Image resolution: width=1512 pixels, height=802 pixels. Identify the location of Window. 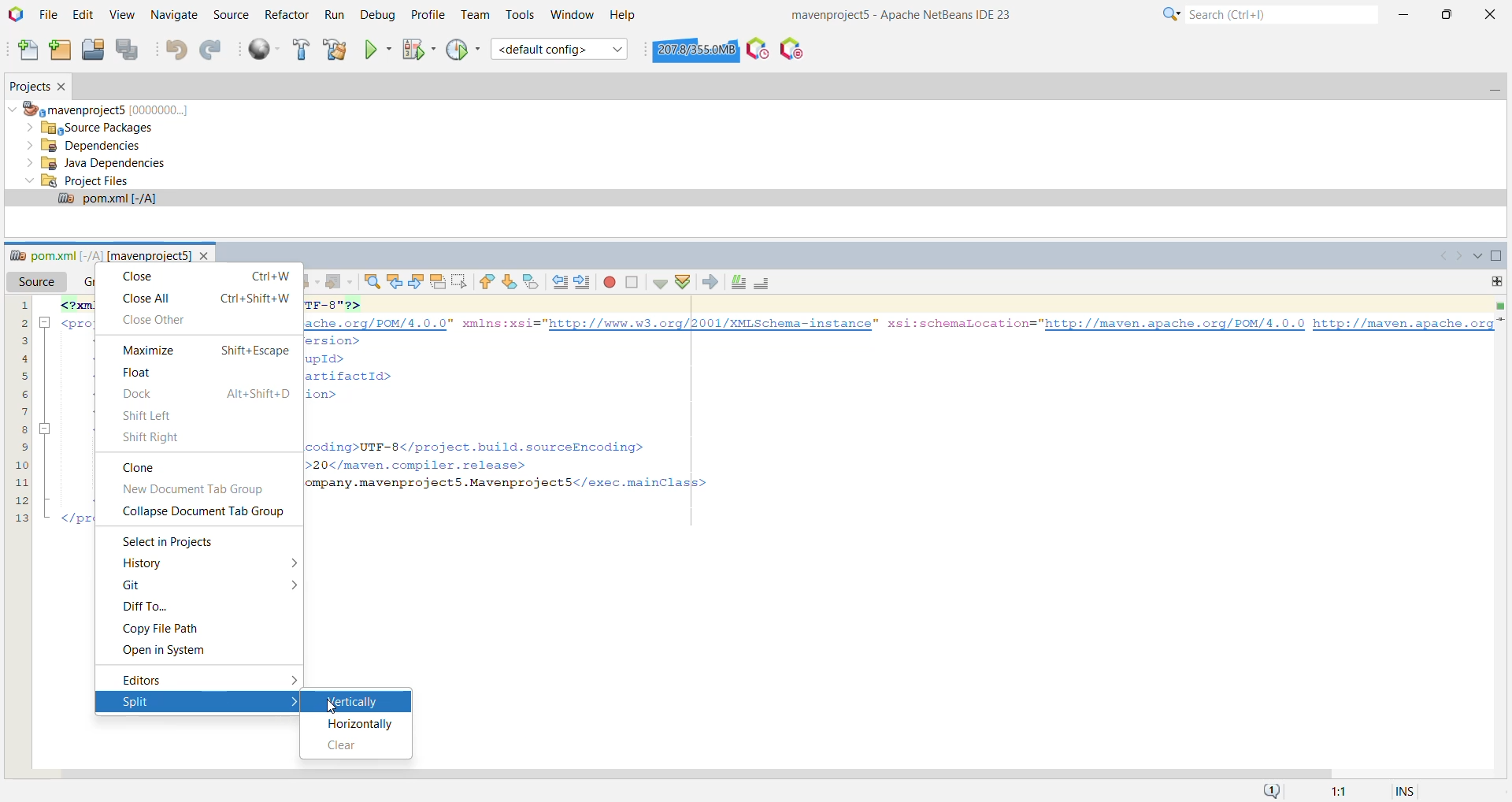
(572, 14).